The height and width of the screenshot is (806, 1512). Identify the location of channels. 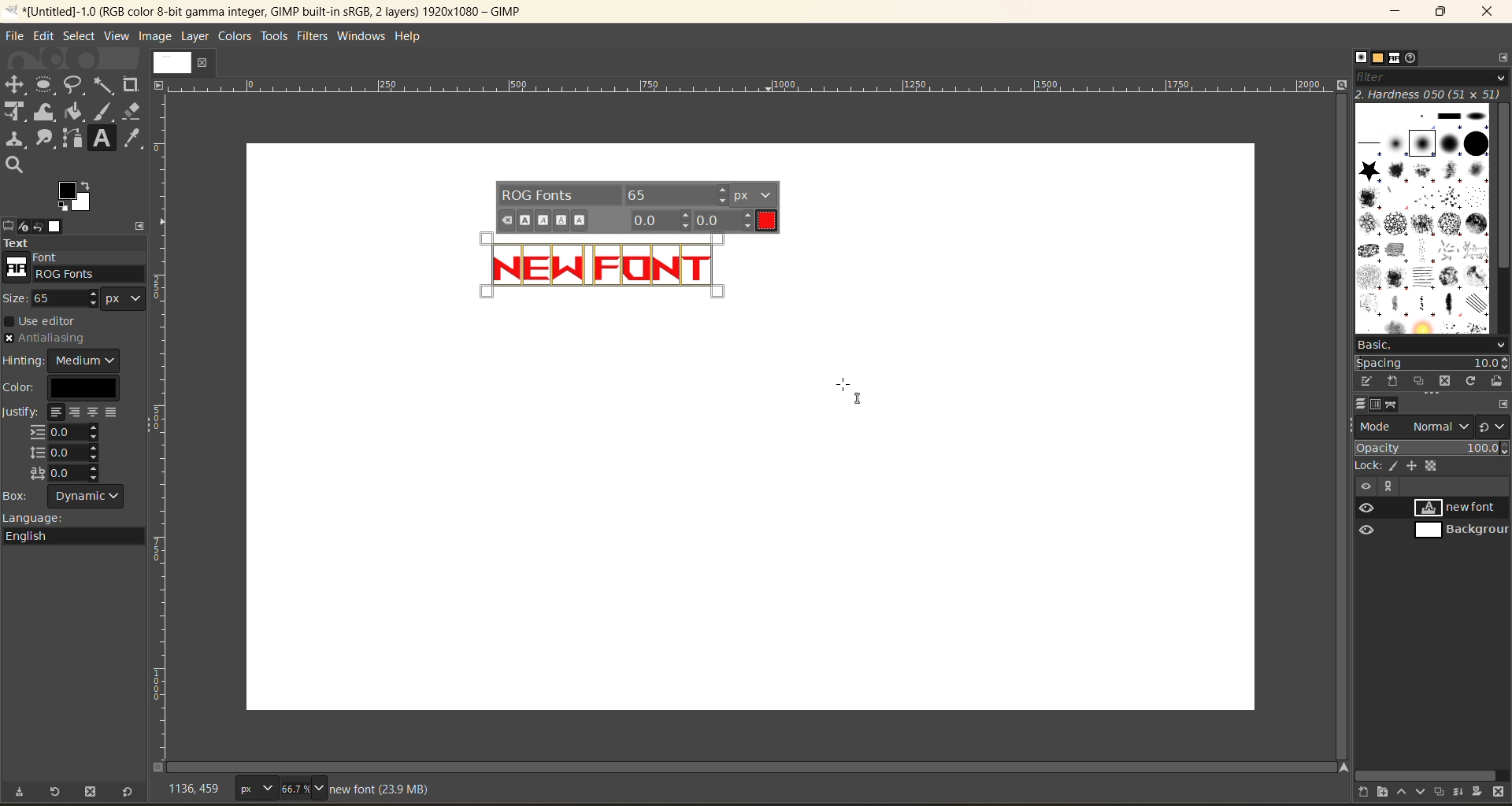
(1378, 406).